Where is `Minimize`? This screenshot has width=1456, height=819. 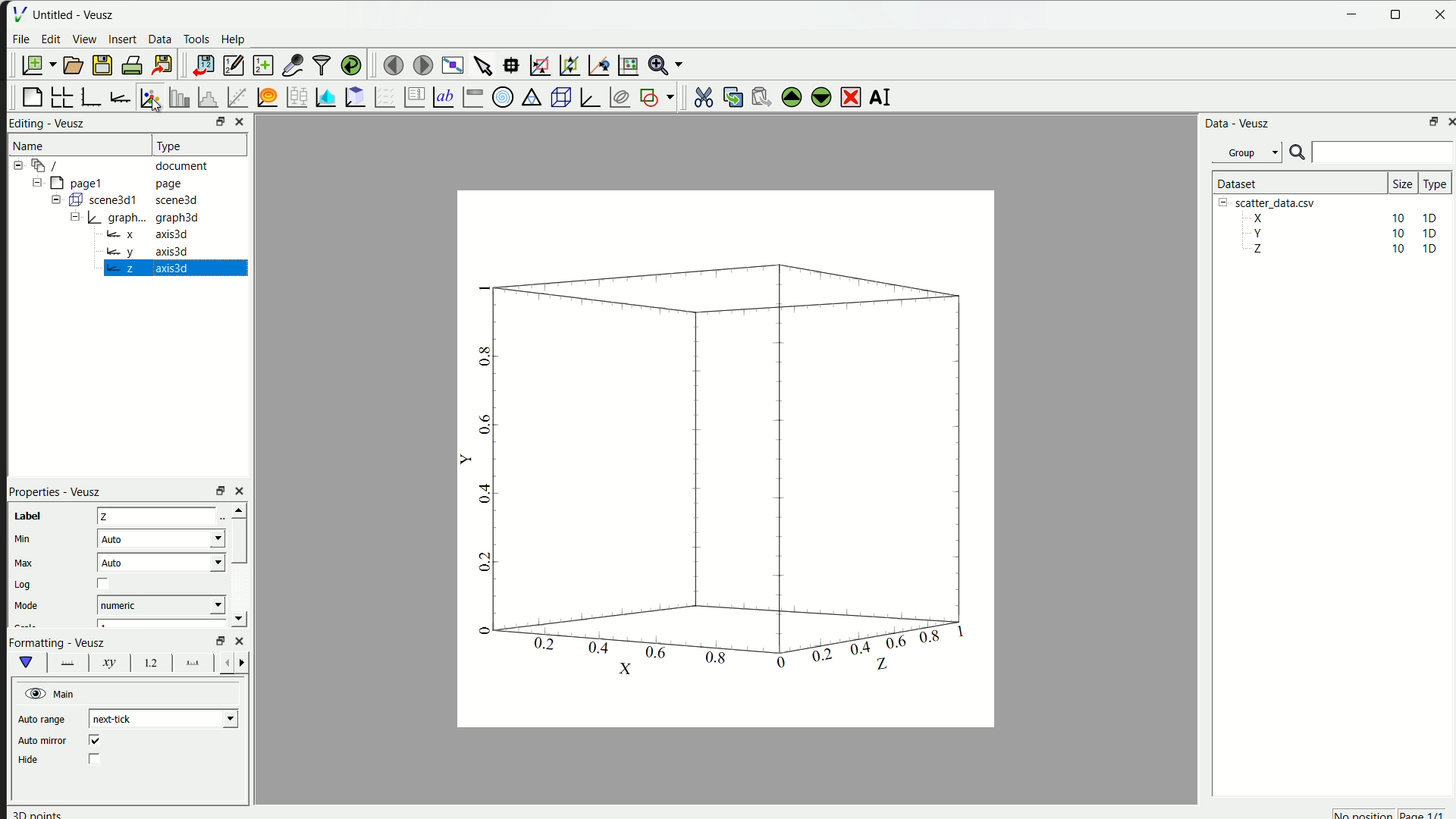 Minimize is located at coordinates (1353, 14).